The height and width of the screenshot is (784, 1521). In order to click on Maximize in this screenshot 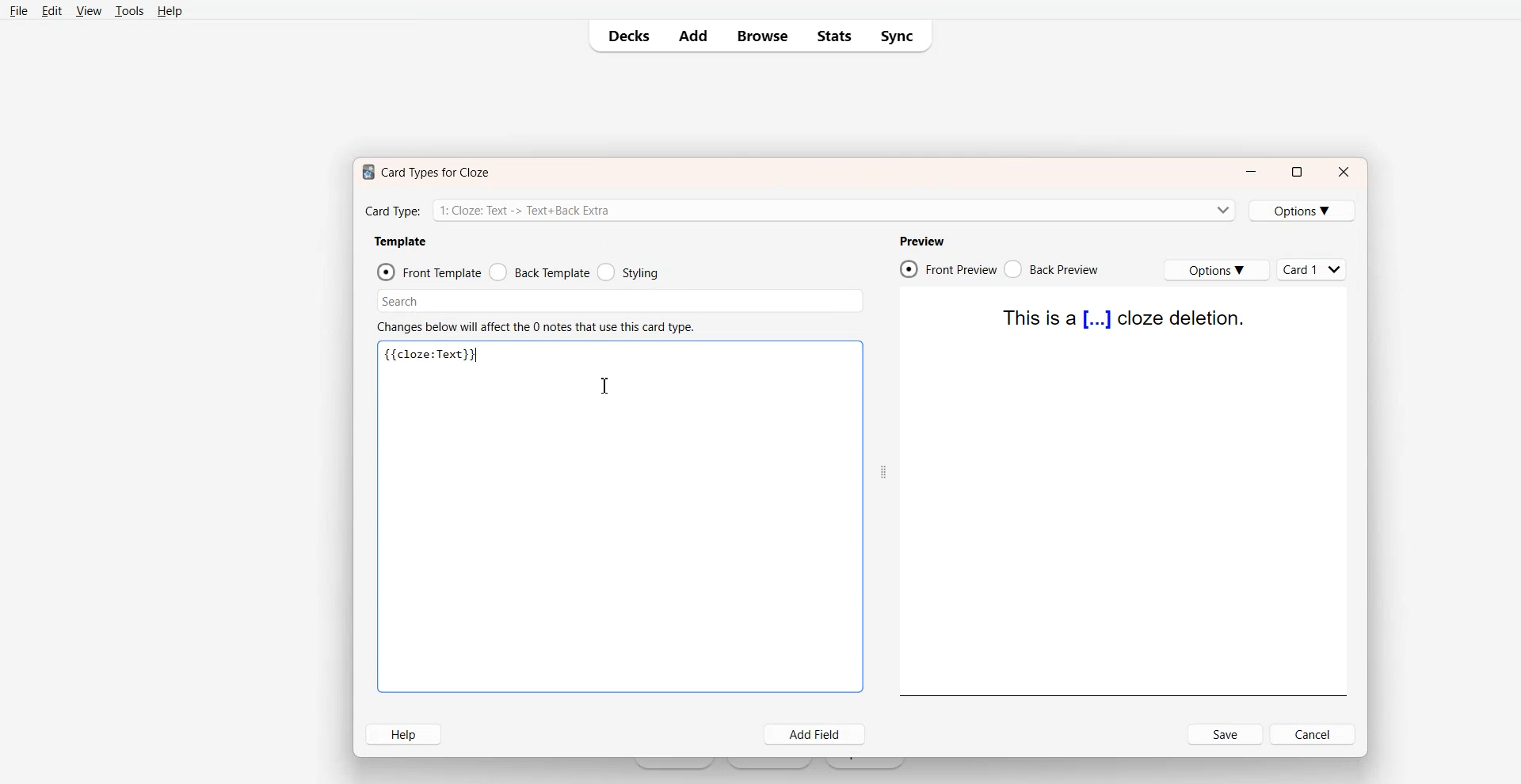, I will do `click(1296, 172)`.